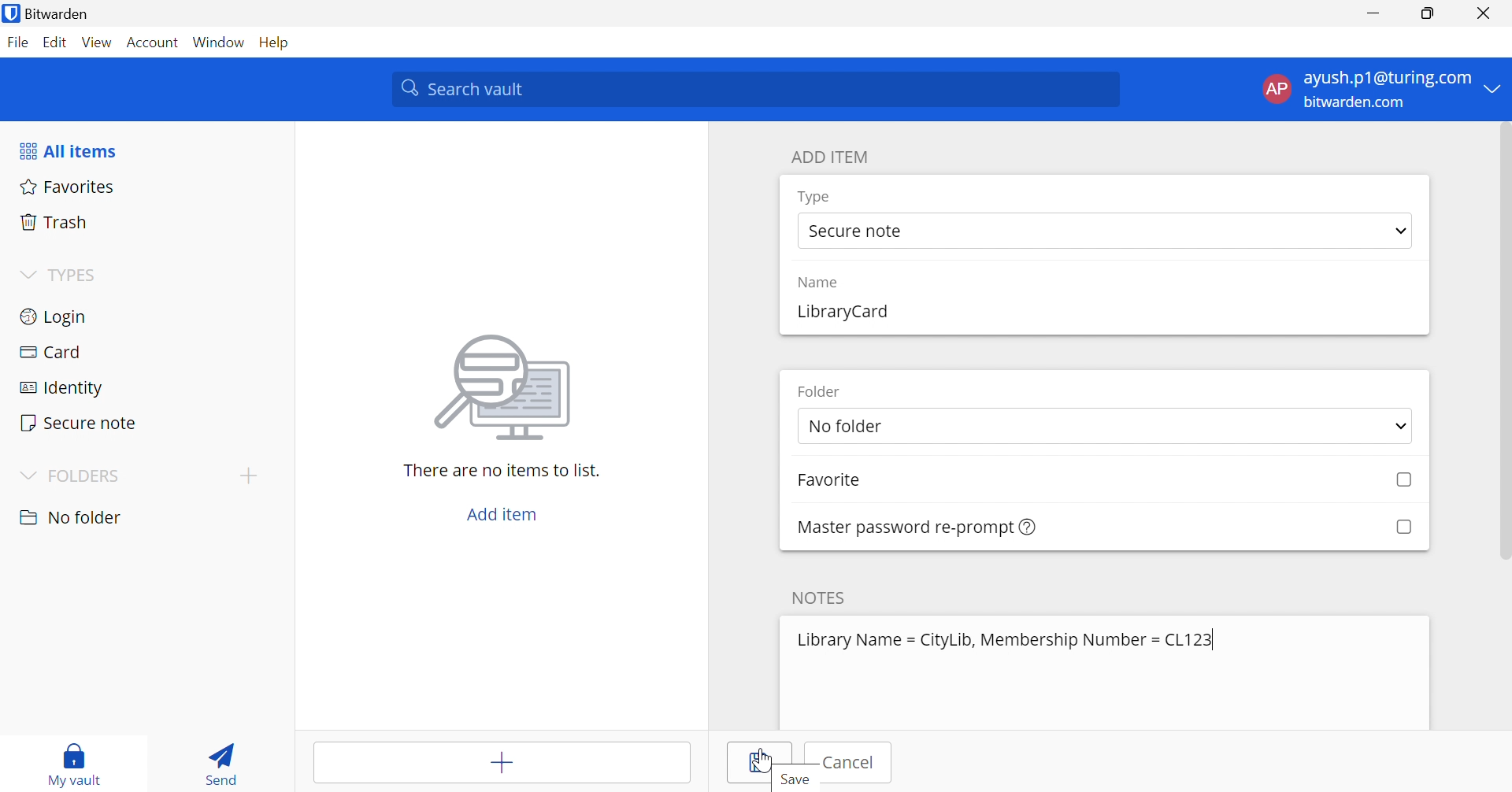  I want to click on Master password re-prompt, so click(917, 527).